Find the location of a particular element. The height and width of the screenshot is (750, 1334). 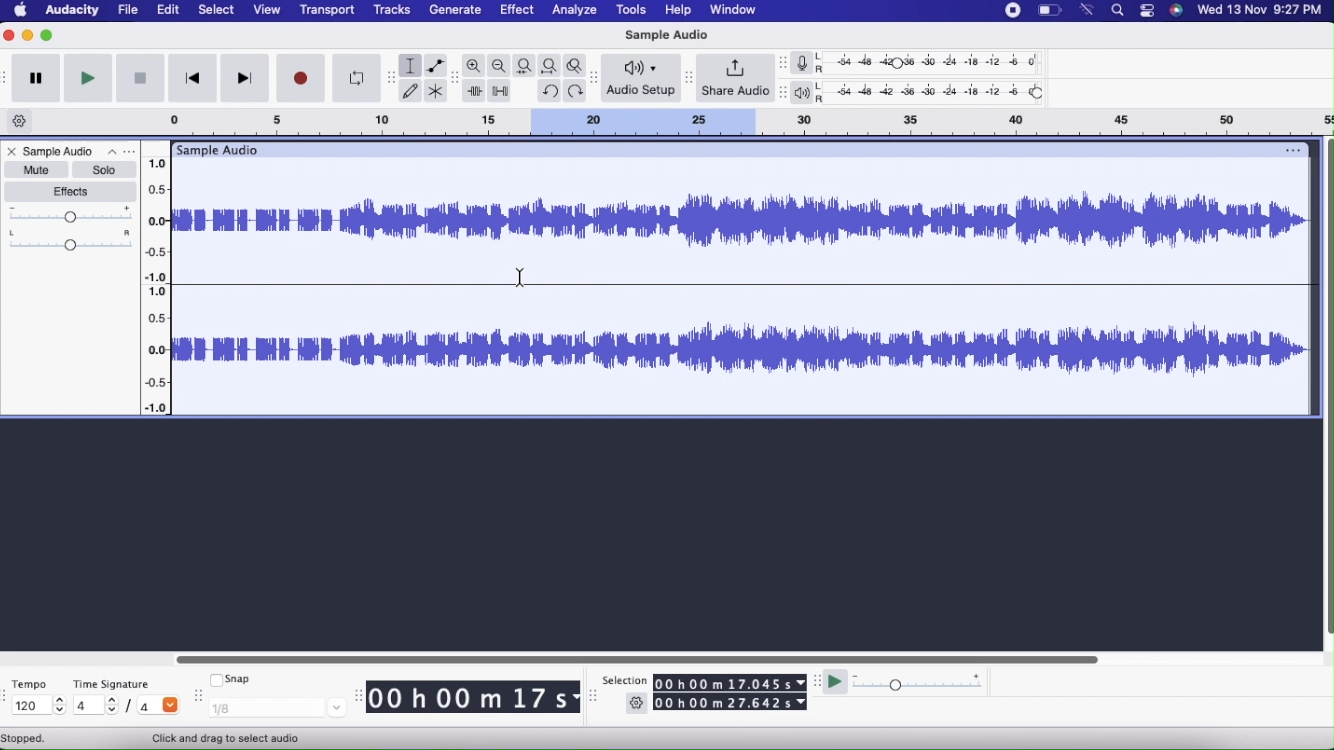

Playback meter is located at coordinates (806, 94).